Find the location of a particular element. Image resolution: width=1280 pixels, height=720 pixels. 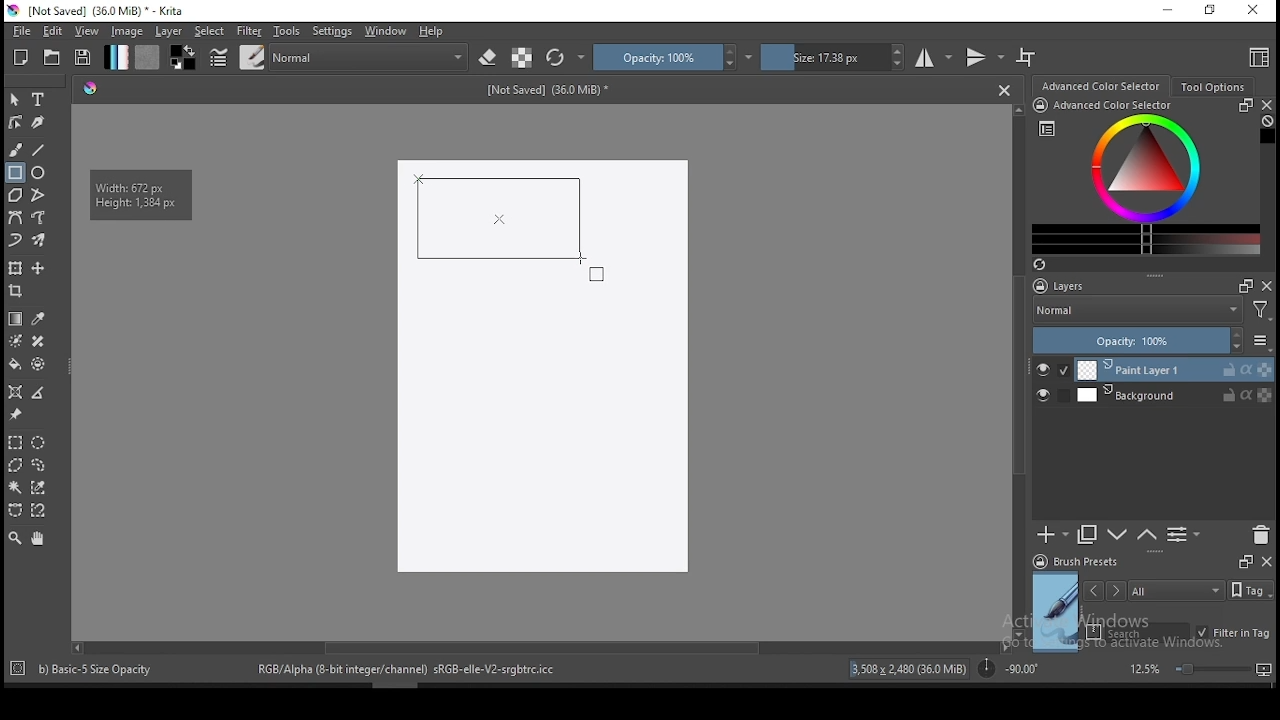

Image is located at coordinates (541, 368).